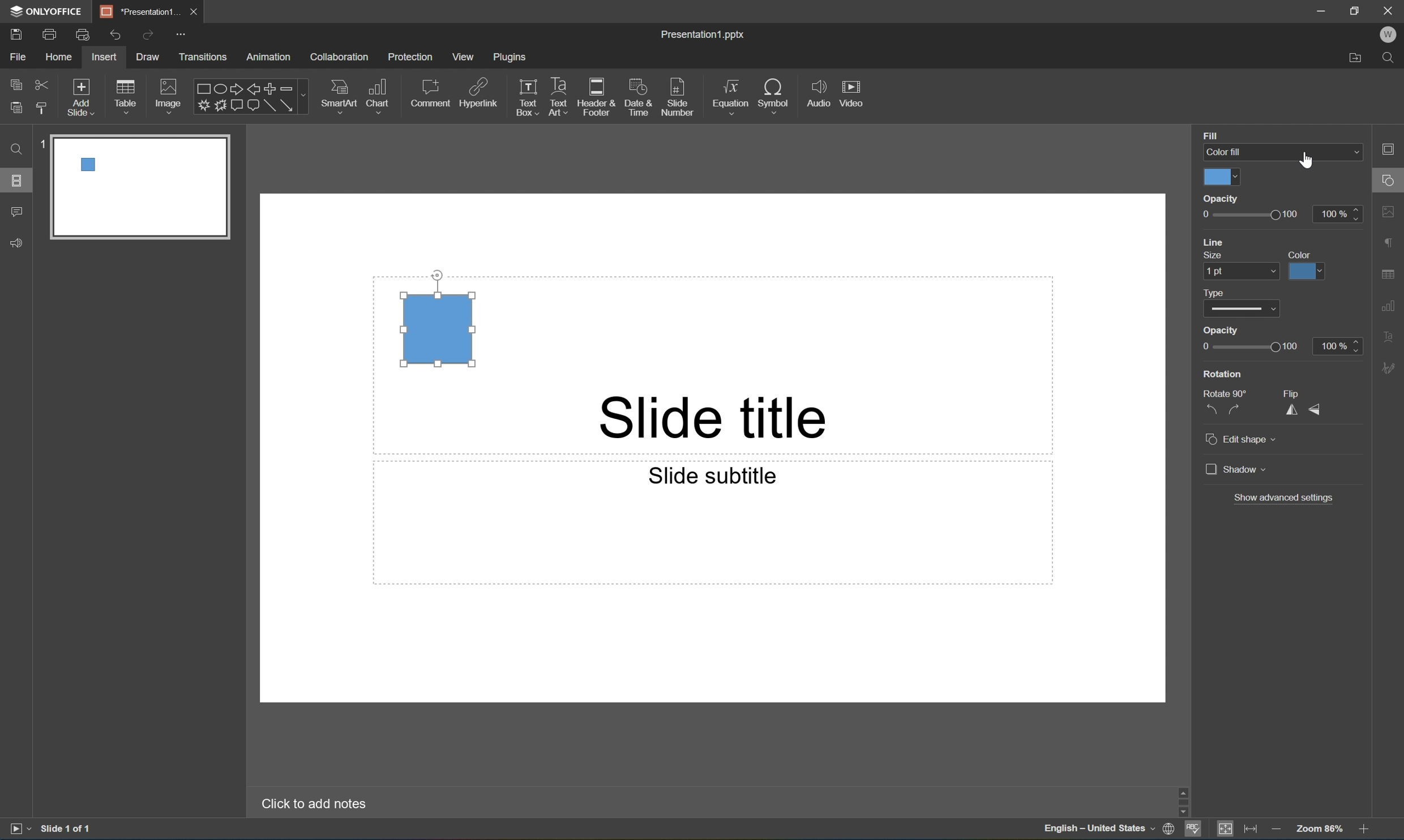 Image resolution: width=1404 pixels, height=840 pixels. Describe the element at coordinates (126, 96) in the screenshot. I see `Table` at that location.